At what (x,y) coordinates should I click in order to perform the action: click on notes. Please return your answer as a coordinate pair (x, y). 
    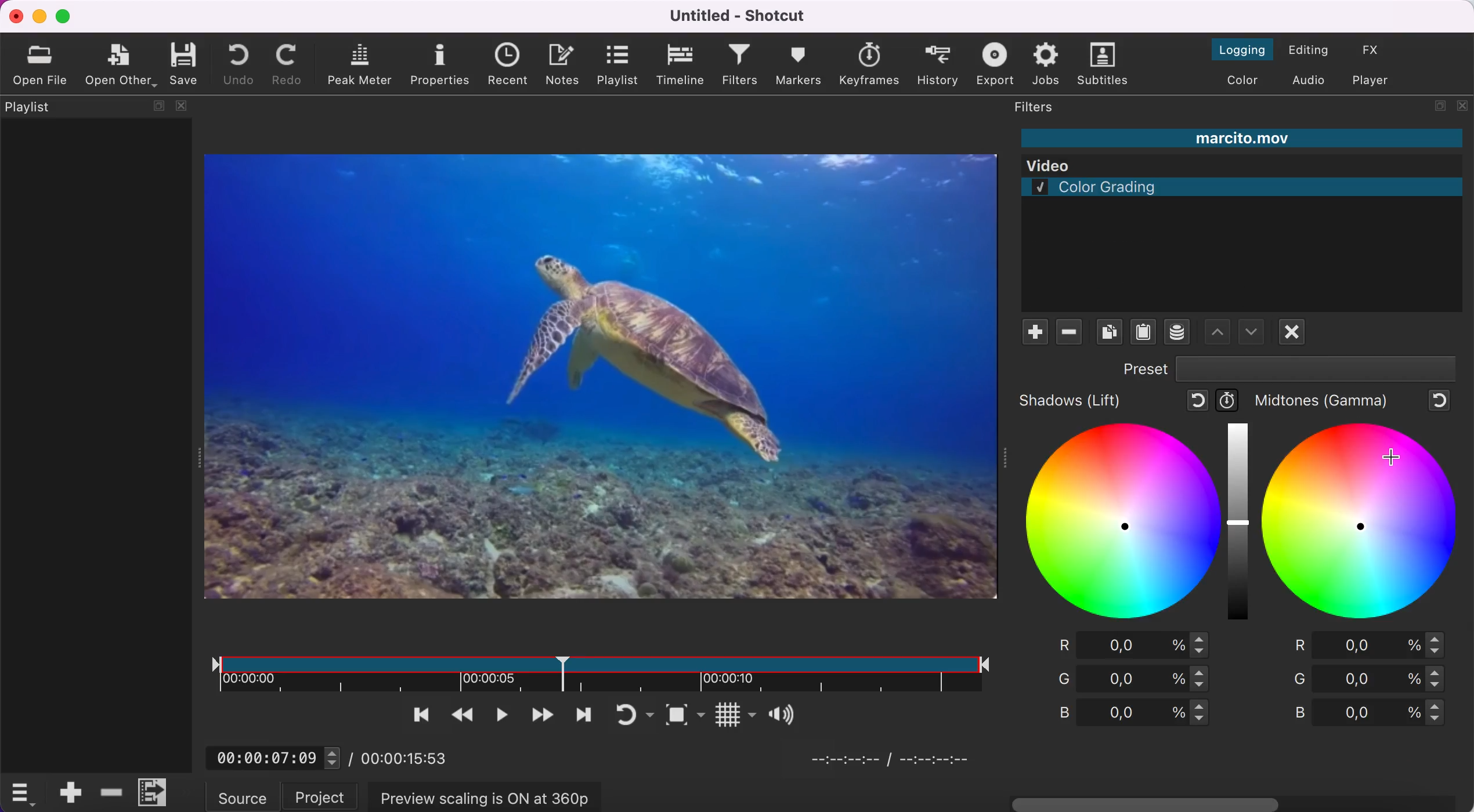
    Looking at the image, I should click on (566, 66).